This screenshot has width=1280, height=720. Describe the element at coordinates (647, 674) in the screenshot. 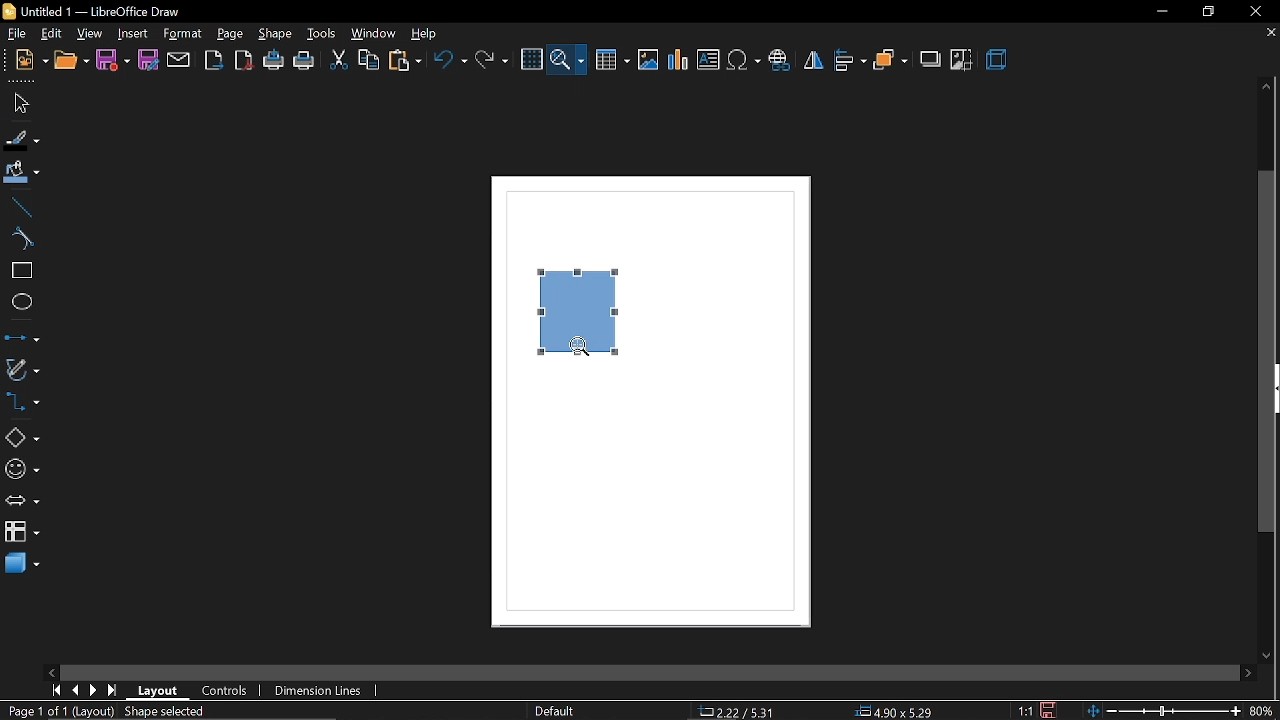

I see `horizontal scroll bar` at that location.